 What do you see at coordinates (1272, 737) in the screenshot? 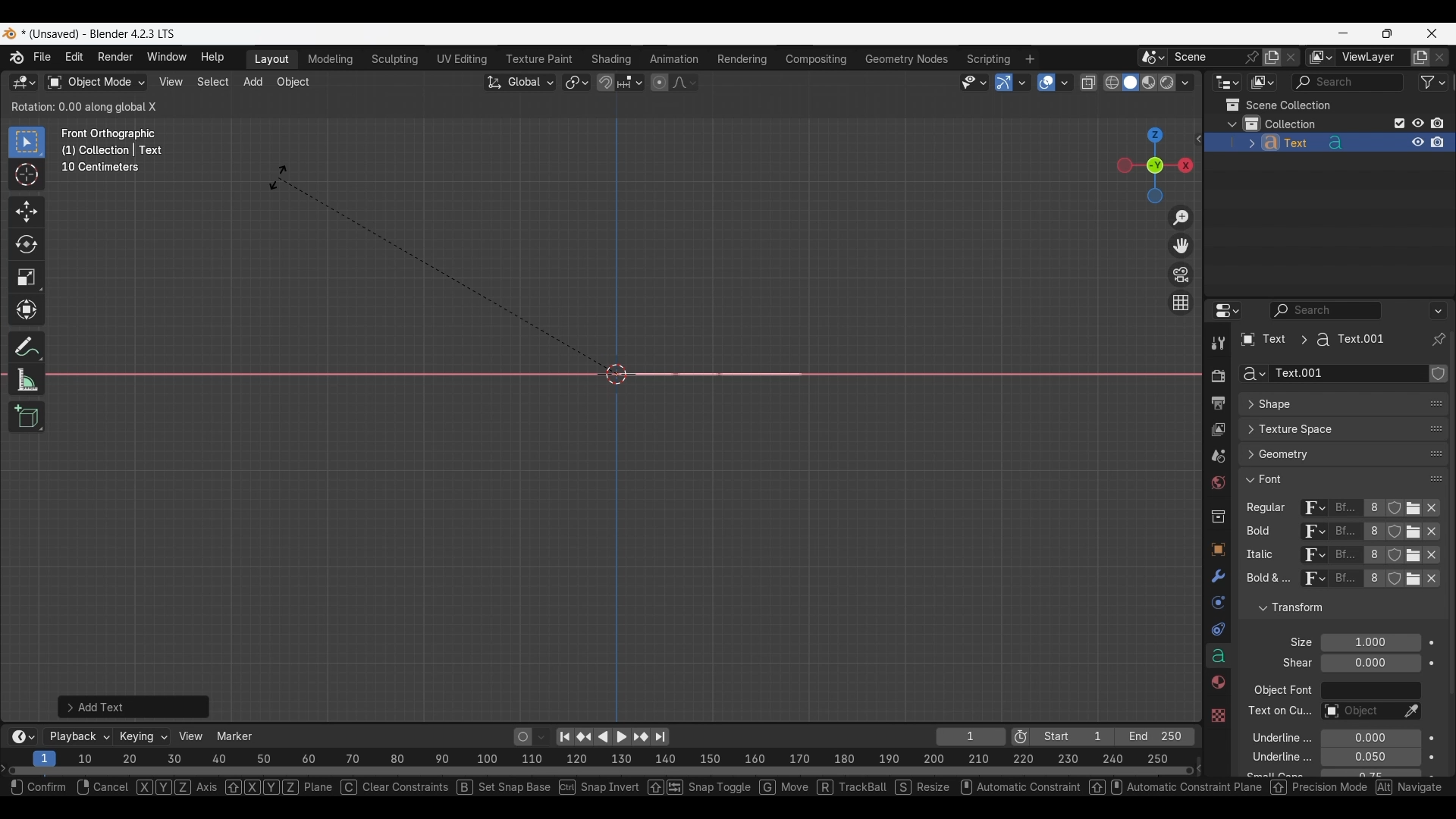
I see `underline` at bounding box center [1272, 737].